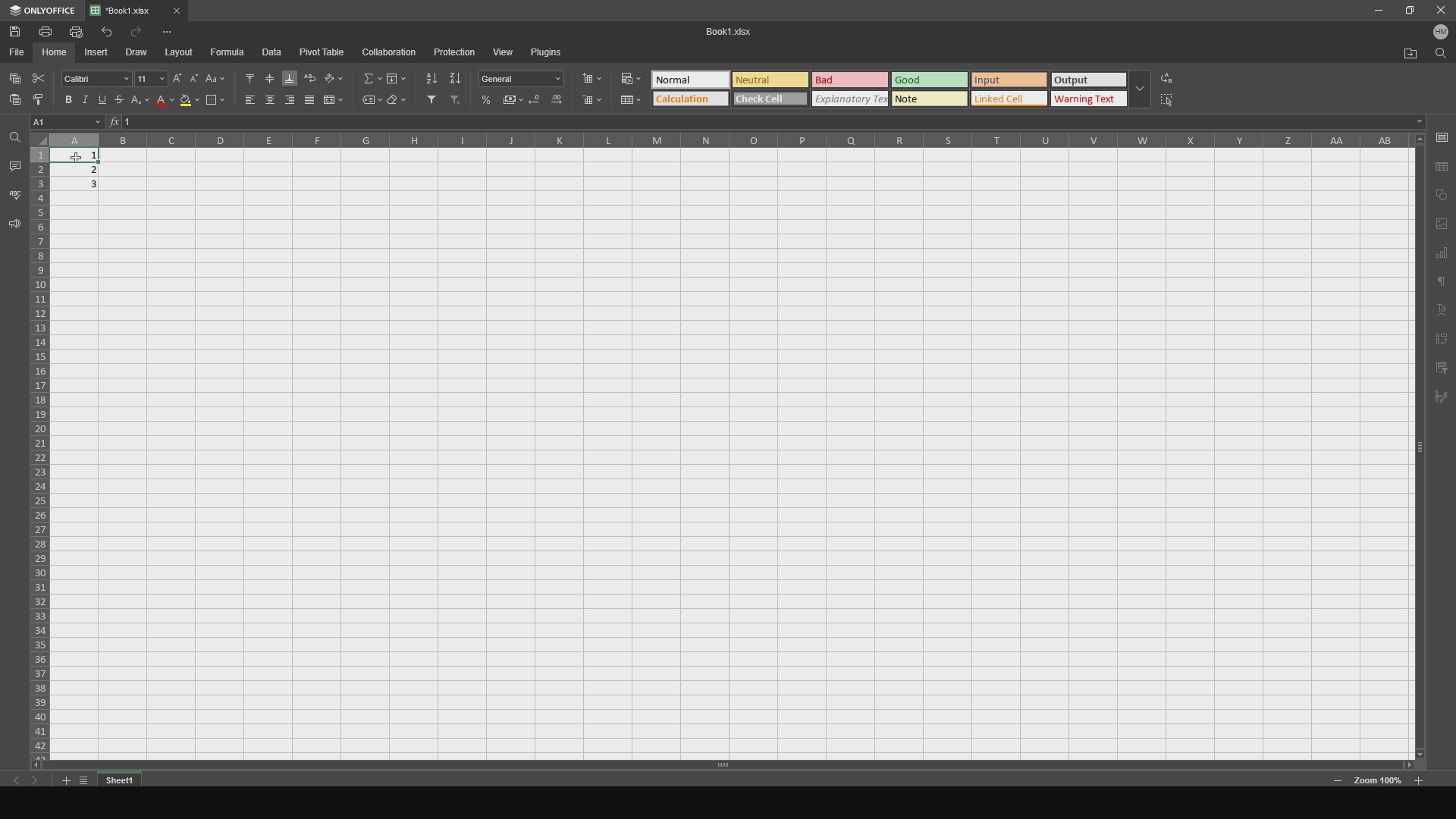  What do you see at coordinates (596, 77) in the screenshot?
I see `insert cells` at bounding box center [596, 77].